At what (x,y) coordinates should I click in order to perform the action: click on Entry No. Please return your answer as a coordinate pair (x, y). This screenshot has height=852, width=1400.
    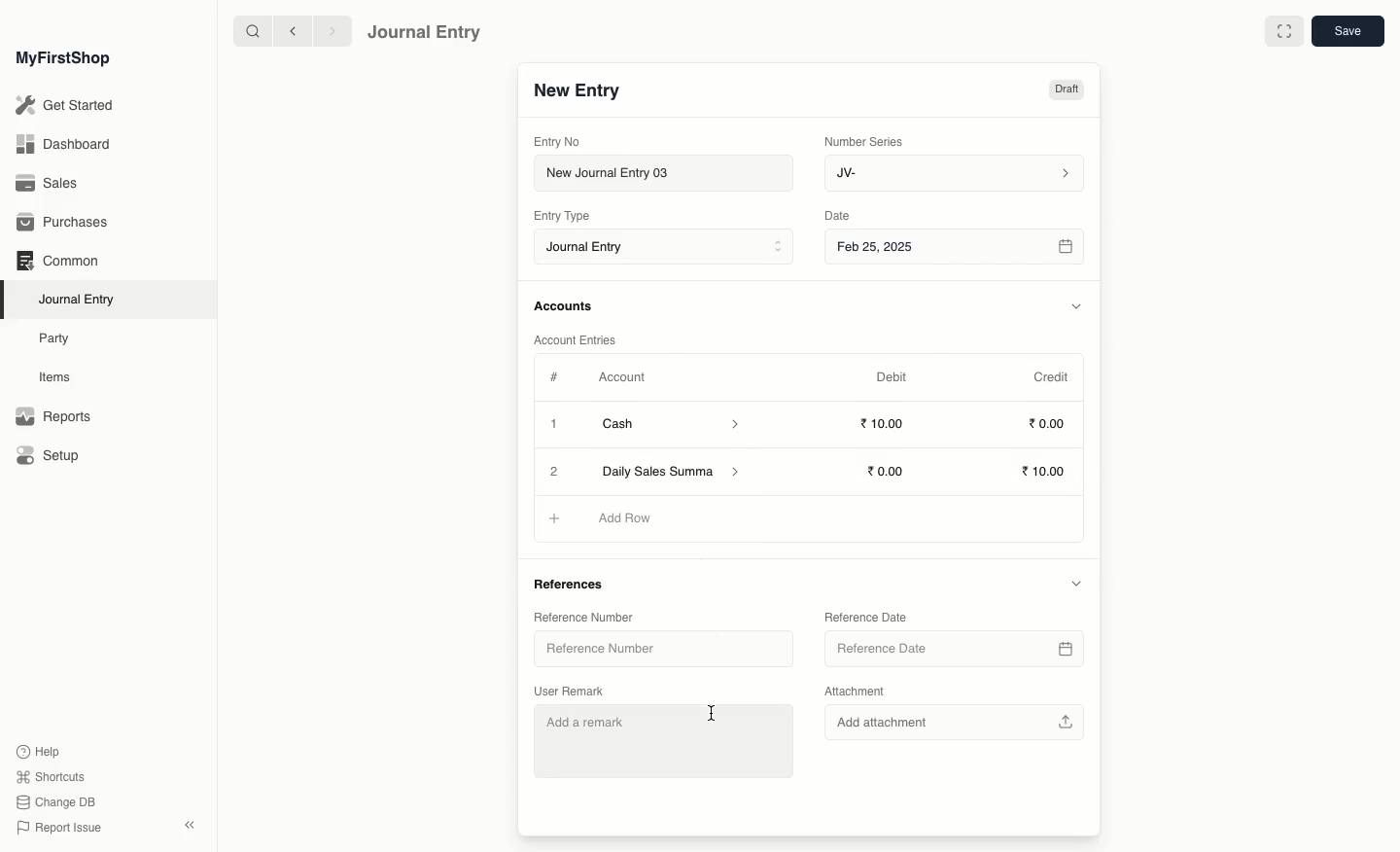
    Looking at the image, I should click on (558, 141).